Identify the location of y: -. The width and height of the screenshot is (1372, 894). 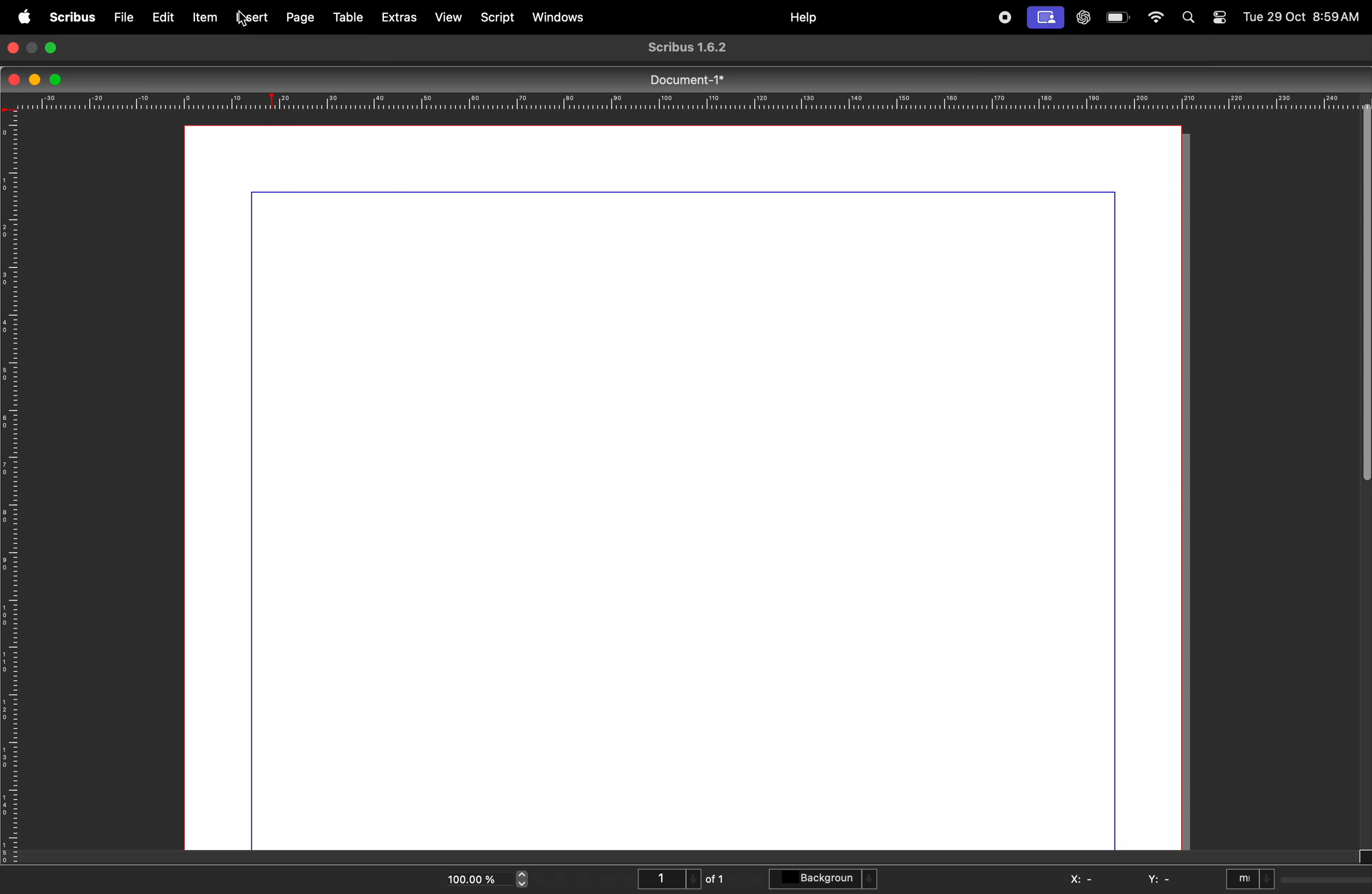
(1160, 880).